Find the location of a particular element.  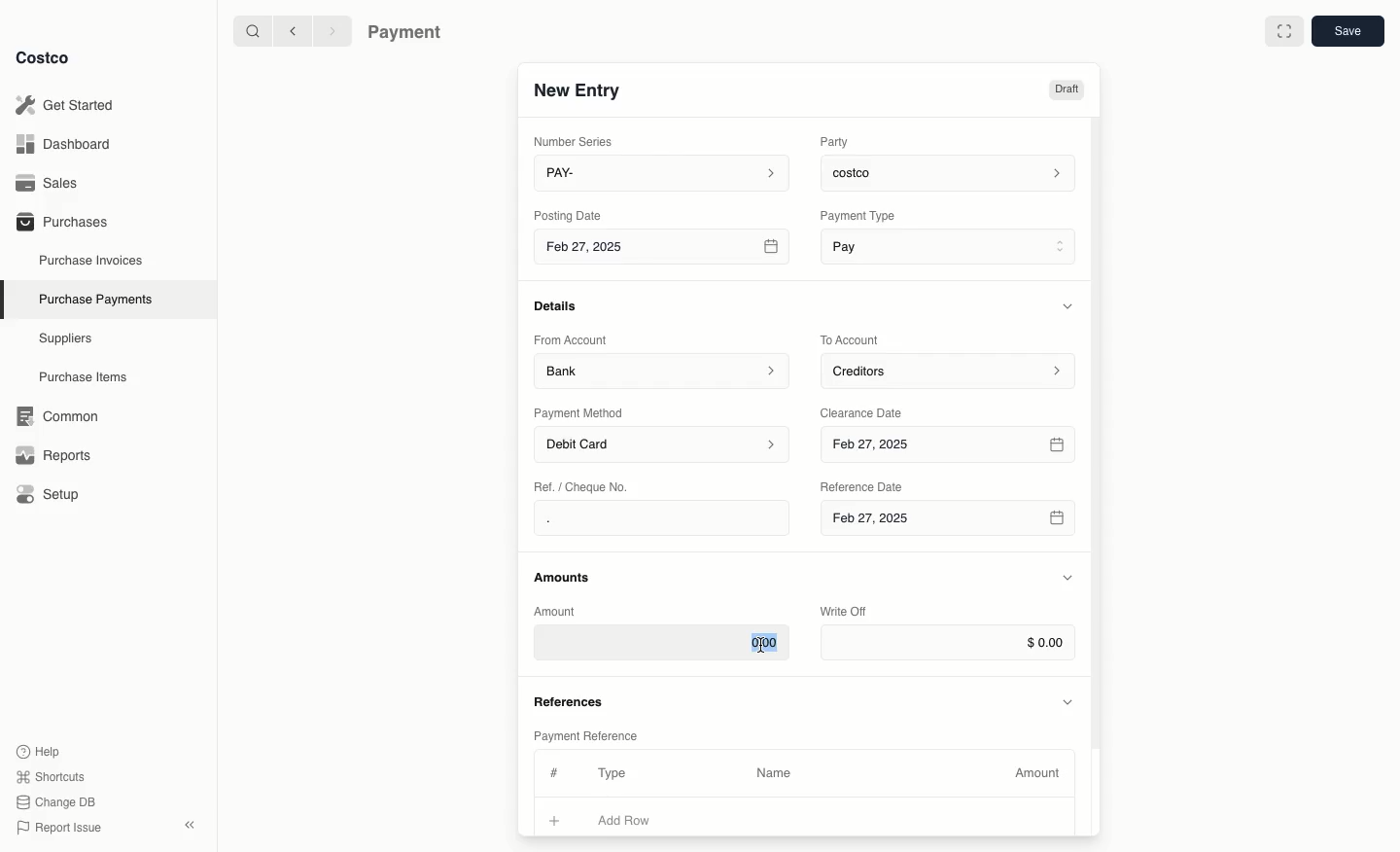

Amount is located at coordinates (1040, 773).